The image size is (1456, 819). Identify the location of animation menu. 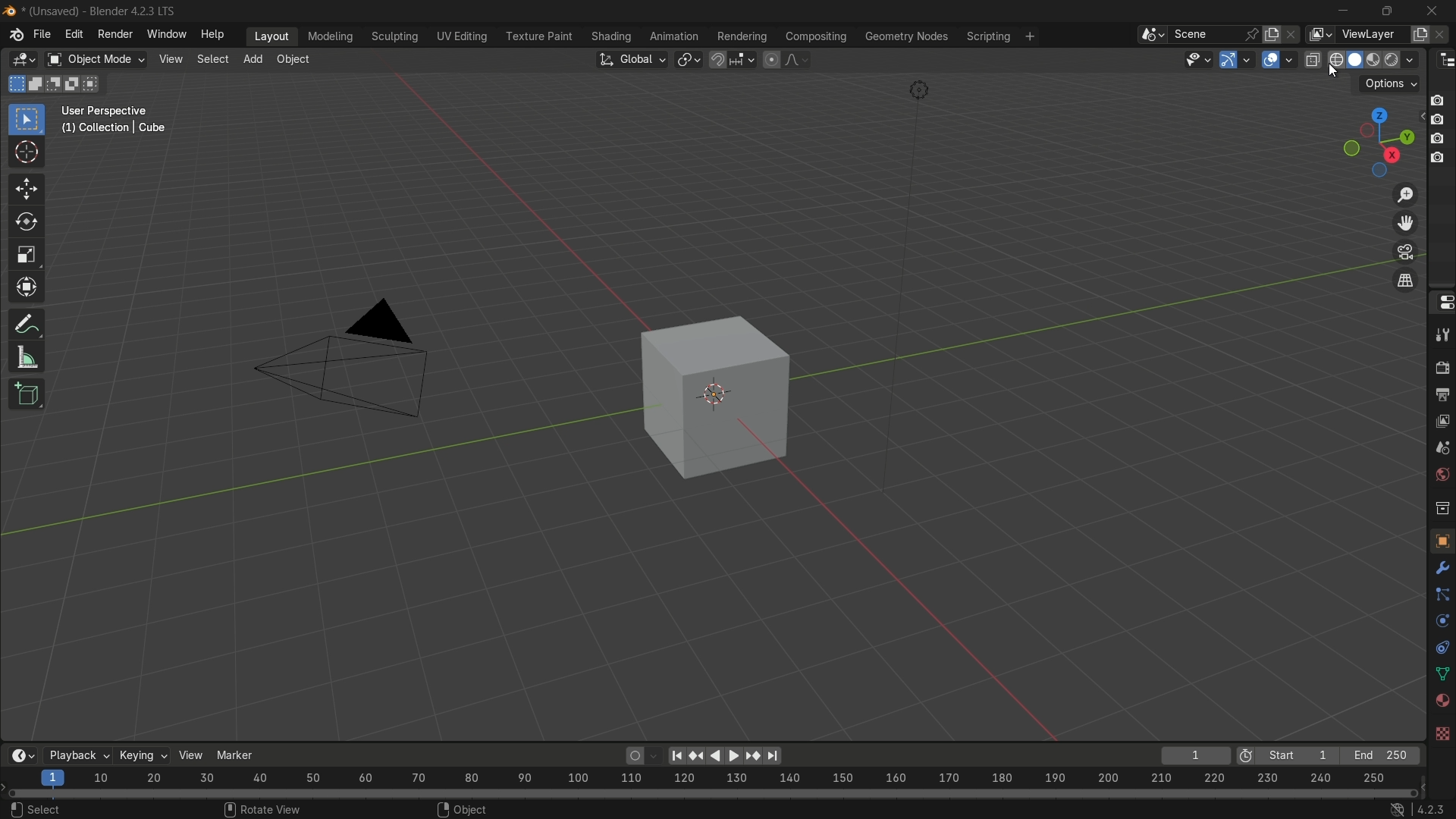
(670, 33).